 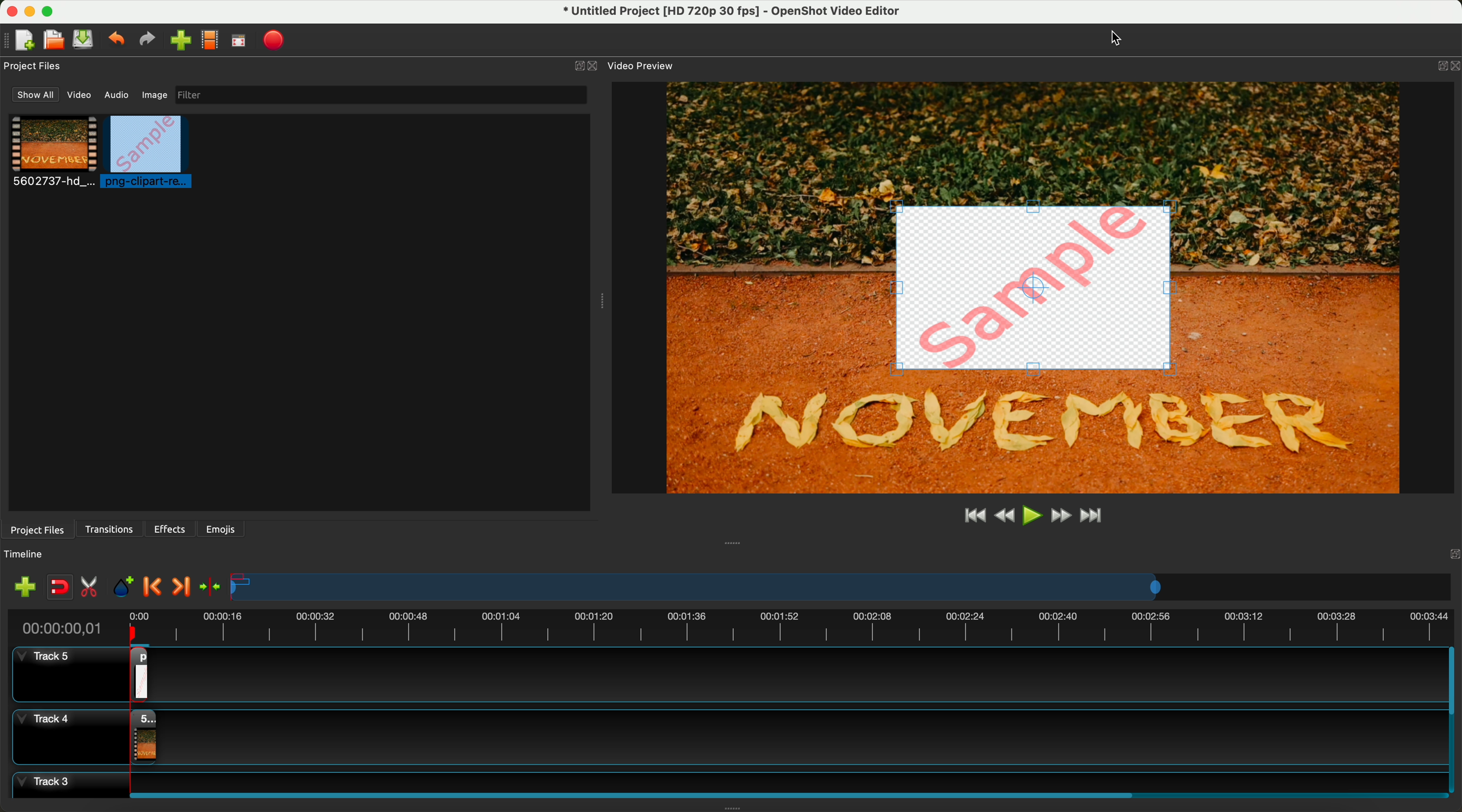 What do you see at coordinates (52, 10) in the screenshot?
I see `maximize` at bounding box center [52, 10].